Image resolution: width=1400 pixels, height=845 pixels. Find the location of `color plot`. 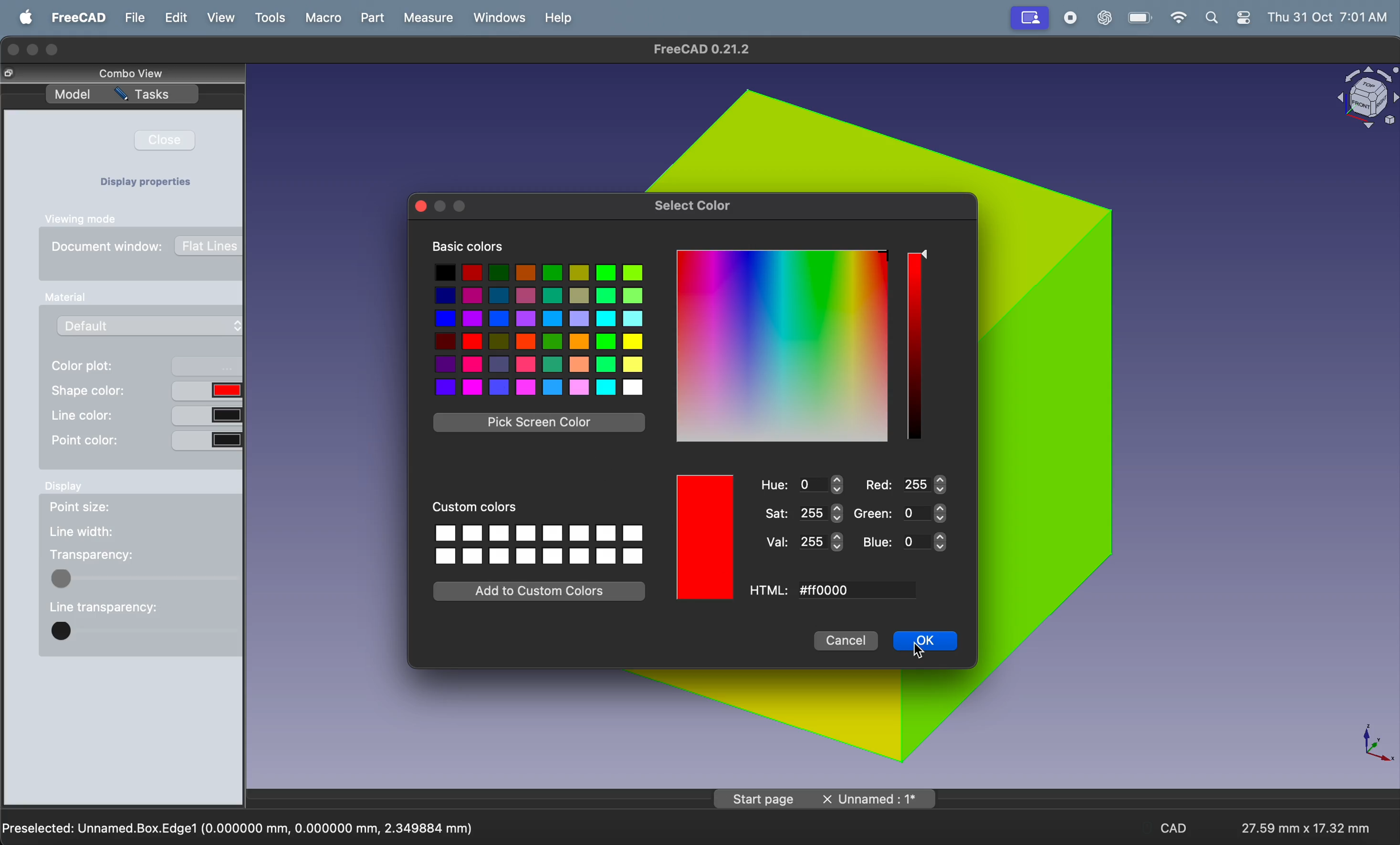

color plot is located at coordinates (147, 367).